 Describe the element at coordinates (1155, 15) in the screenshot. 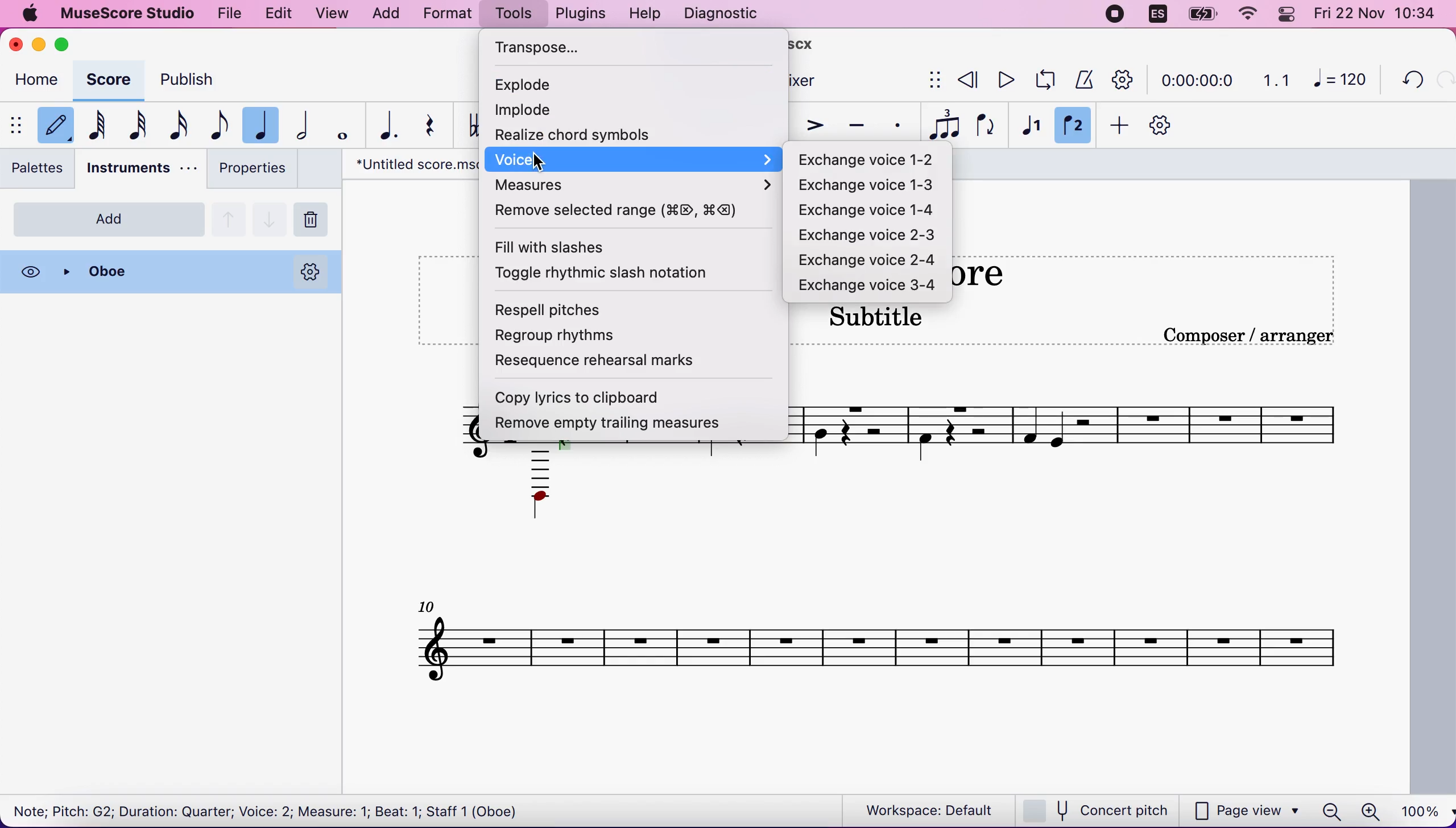

I see `language` at that location.